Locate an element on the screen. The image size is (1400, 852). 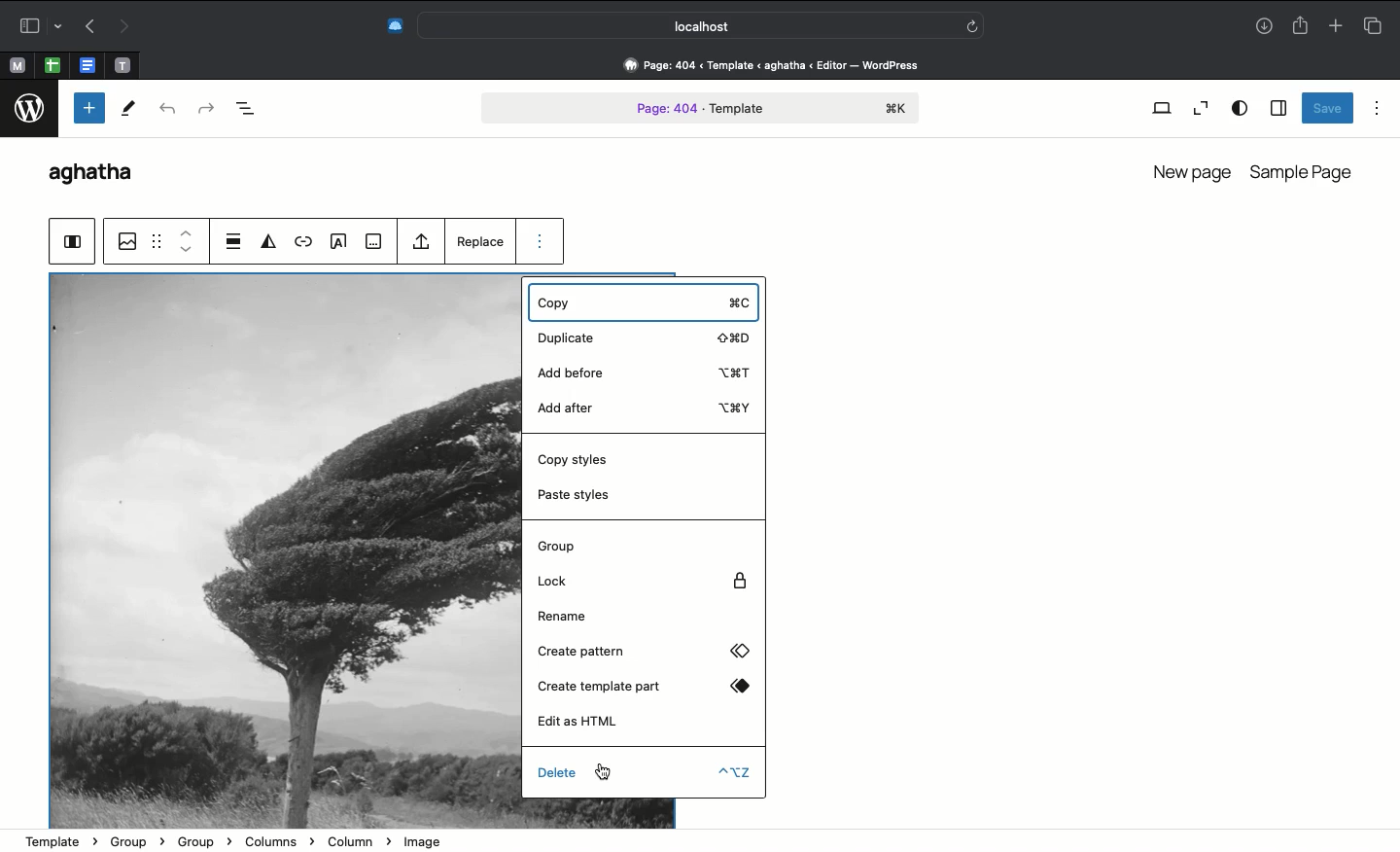
Add after is located at coordinates (640, 406).